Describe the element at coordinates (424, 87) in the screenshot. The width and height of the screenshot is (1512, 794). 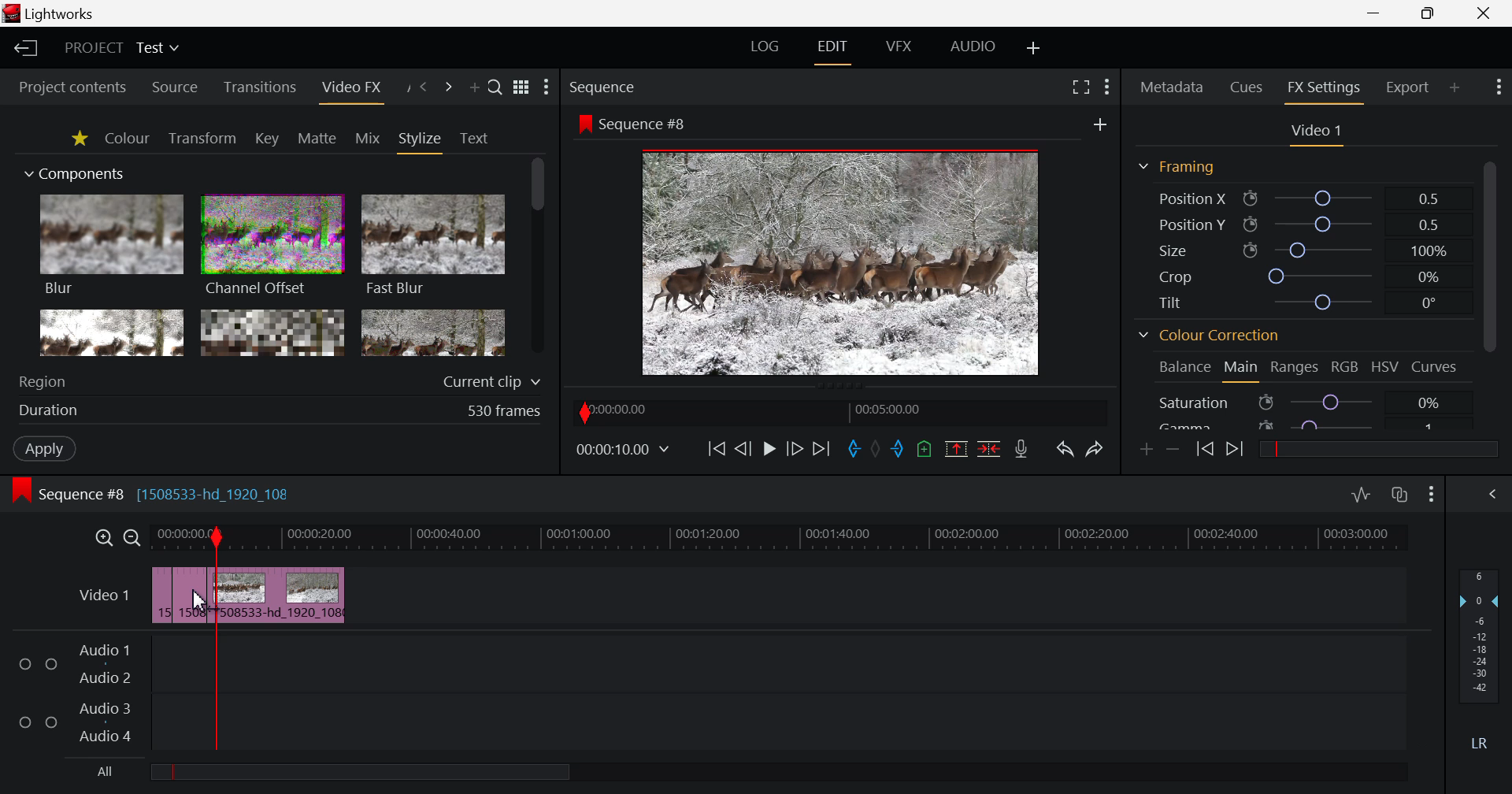
I see `Previous Panel` at that location.